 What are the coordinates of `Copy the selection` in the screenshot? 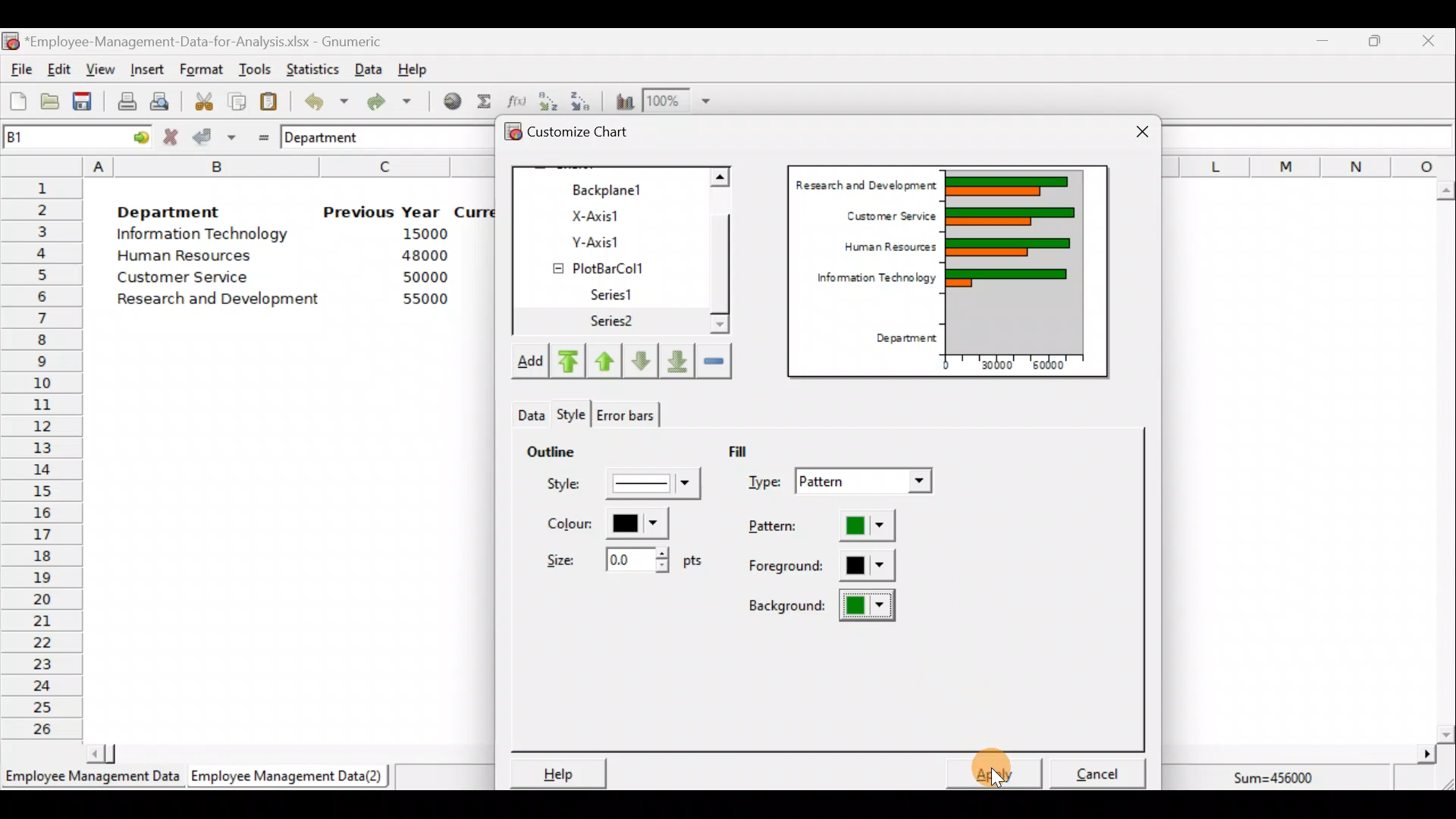 It's located at (236, 99).